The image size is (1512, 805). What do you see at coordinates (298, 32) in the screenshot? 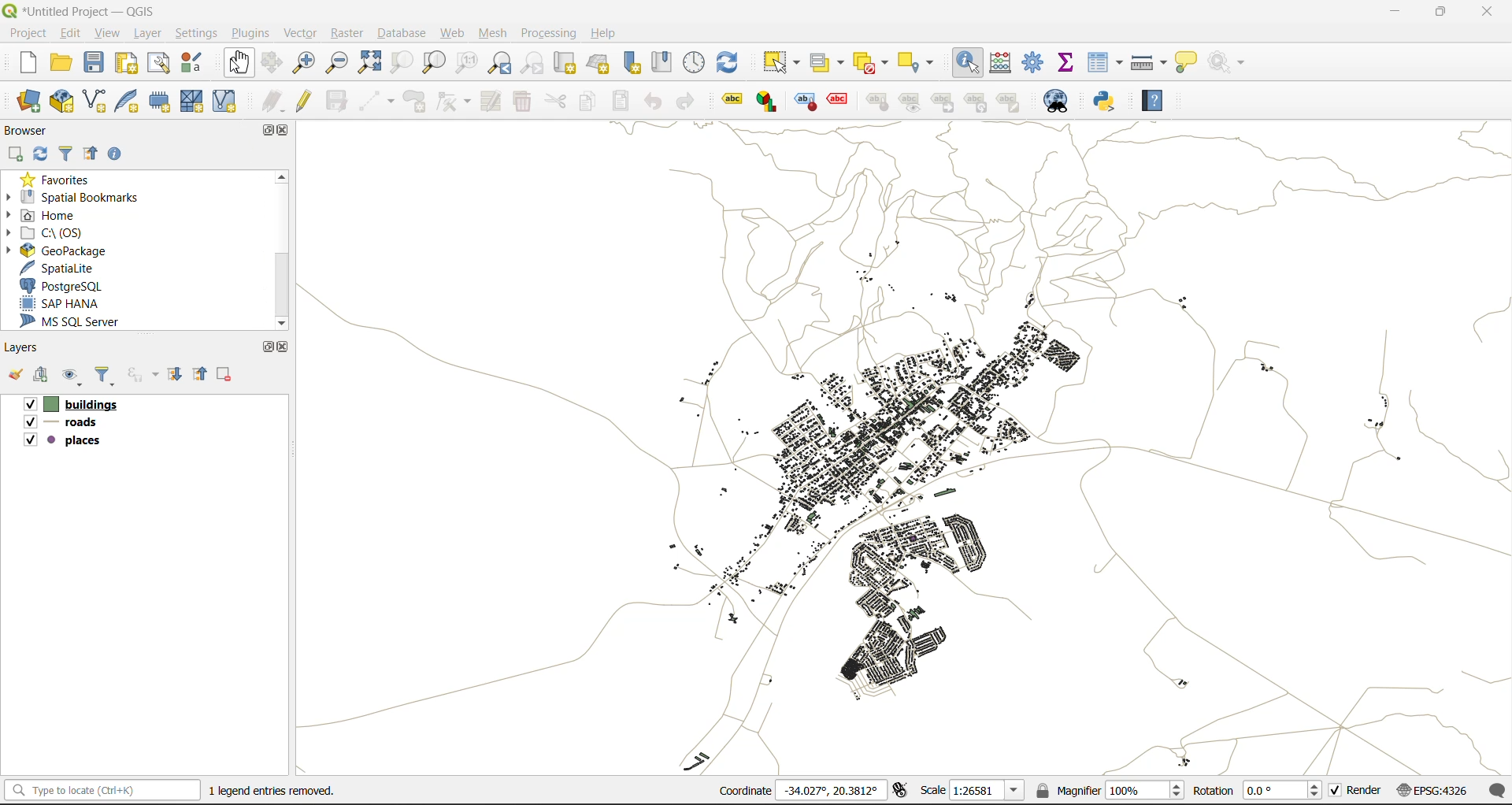
I see `vector` at bounding box center [298, 32].